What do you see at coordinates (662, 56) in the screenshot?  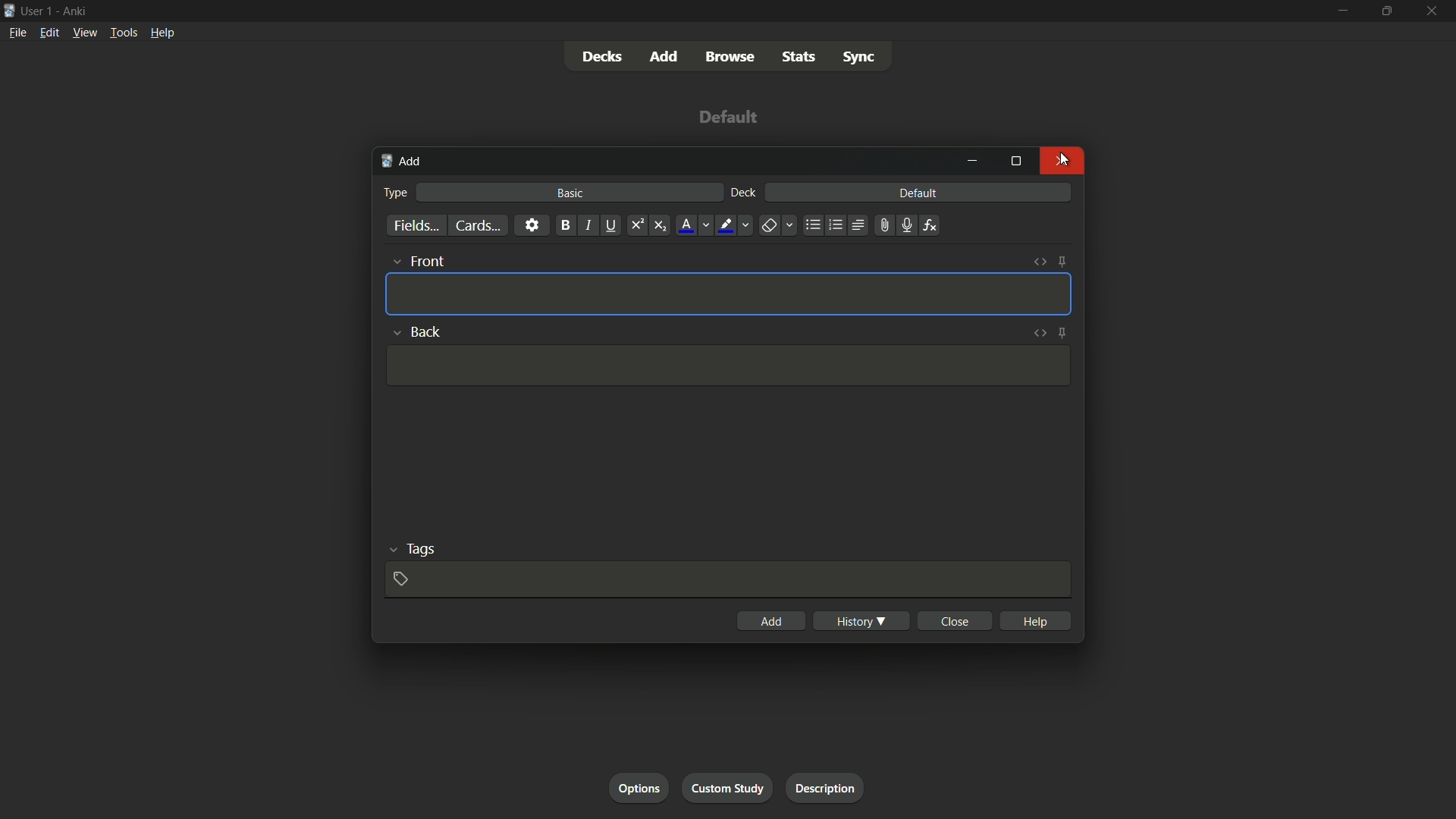 I see `add` at bounding box center [662, 56].